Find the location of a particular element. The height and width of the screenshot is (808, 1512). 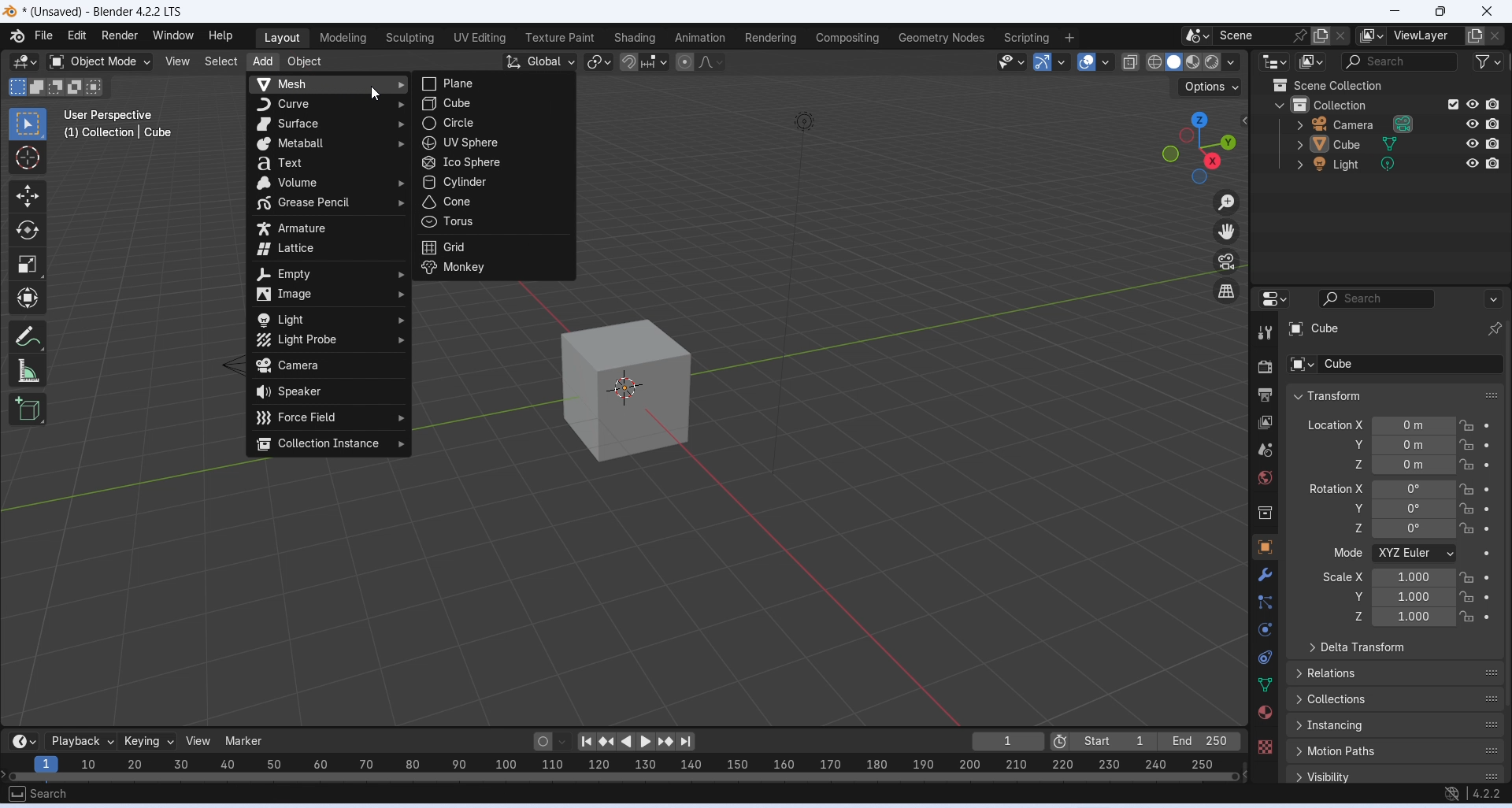

selectiblity and visibility is located at coordinates (1013, 61).